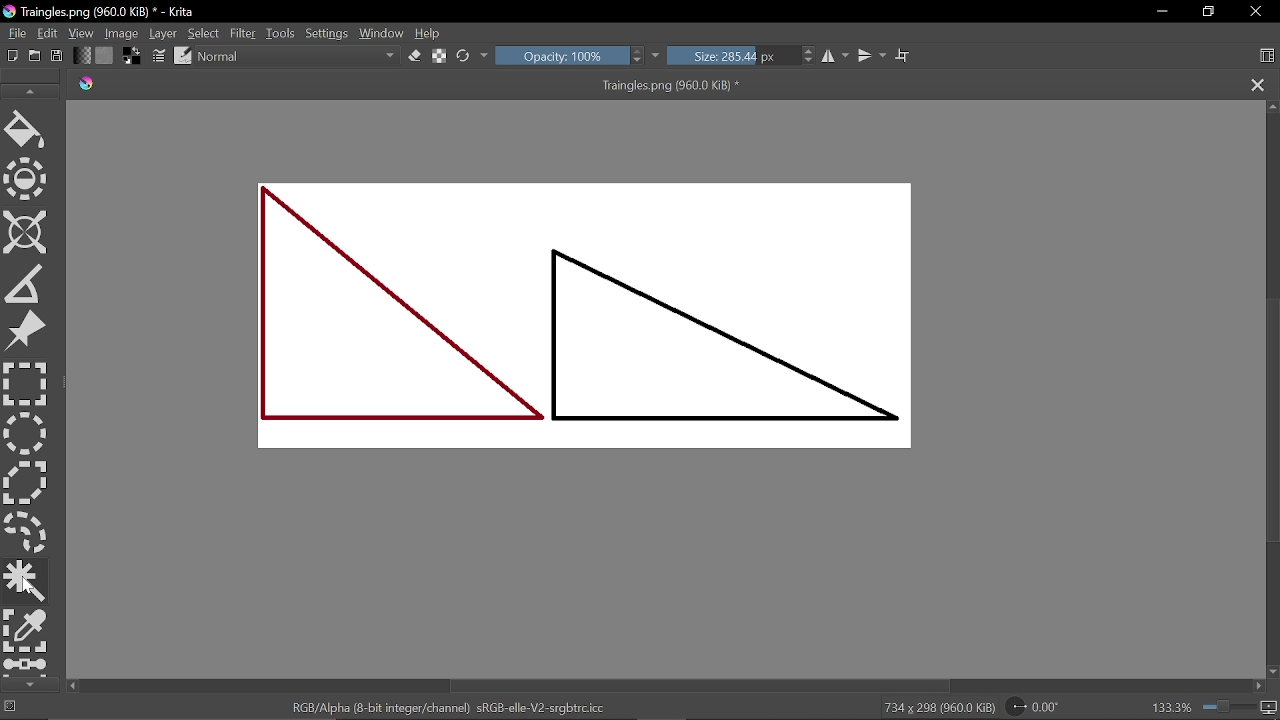  What do you see at coordinates (130, 56) in the screenshot?
I see `Foreground color` at bounding box center [130, 56].